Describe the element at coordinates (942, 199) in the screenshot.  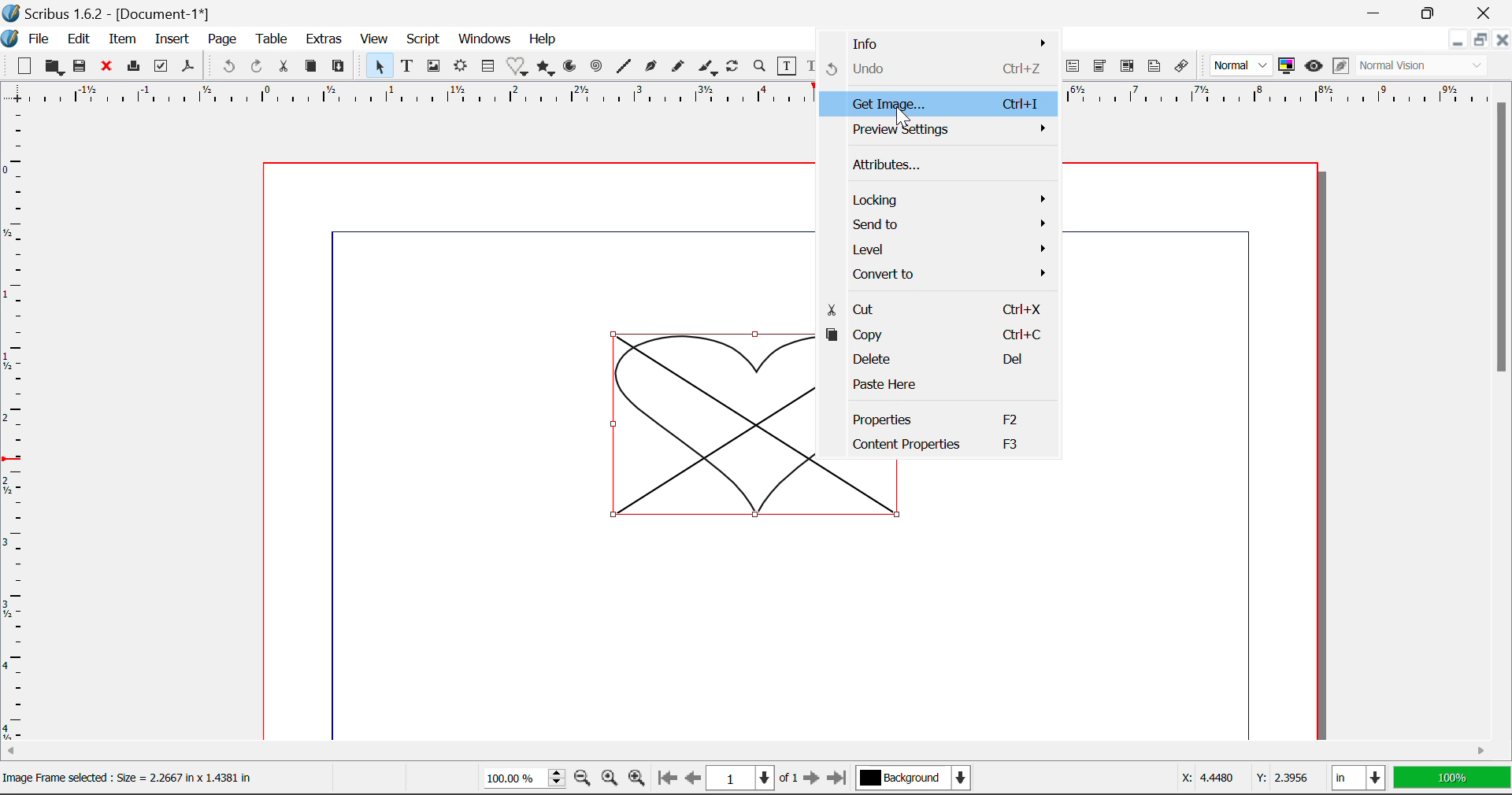
I see `Locking` at that location.